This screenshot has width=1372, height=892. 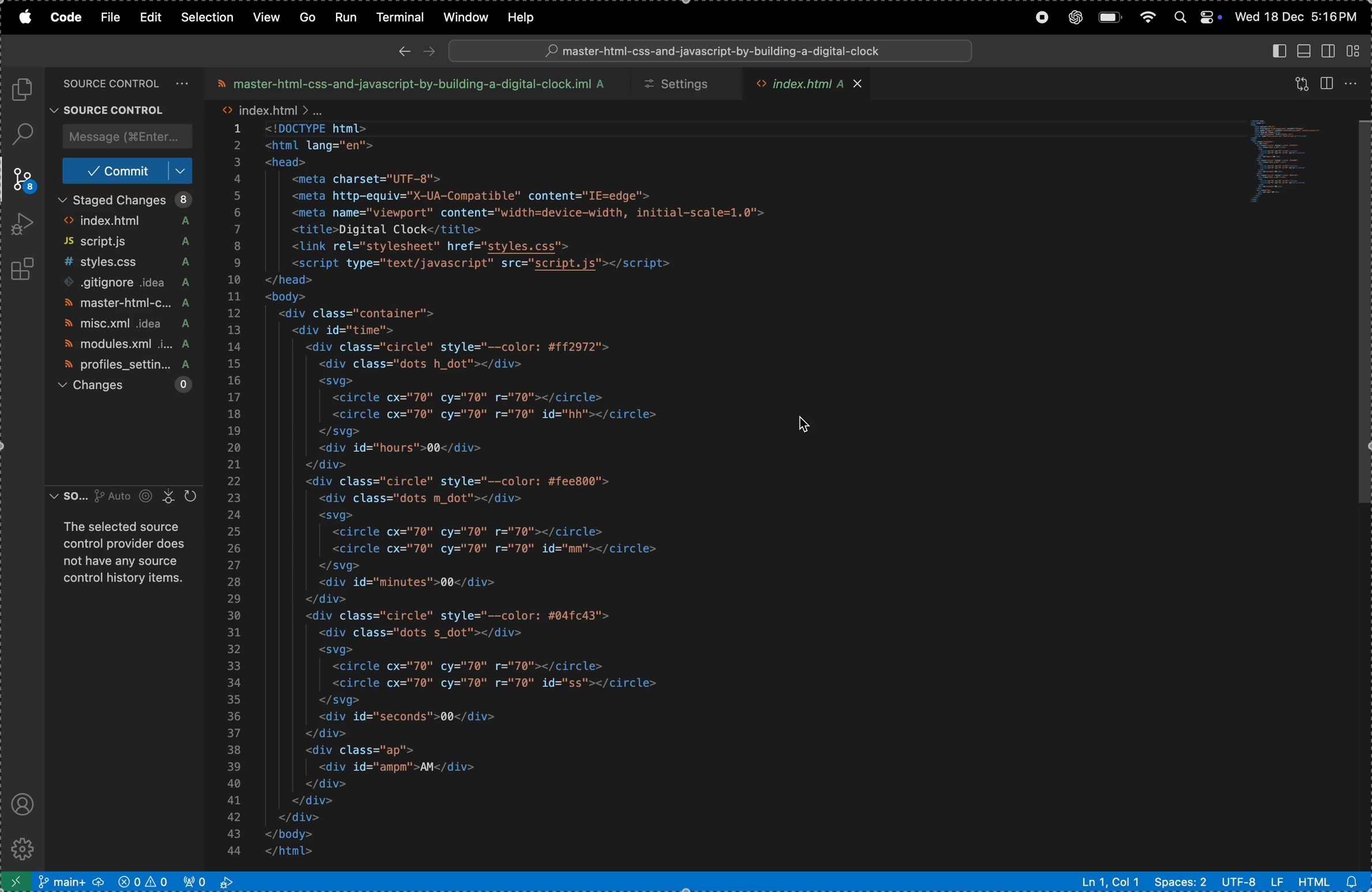 What do you see at coordinates (128, 171) in the screenshot?
I see `commit` at bounding box center [128, 171].